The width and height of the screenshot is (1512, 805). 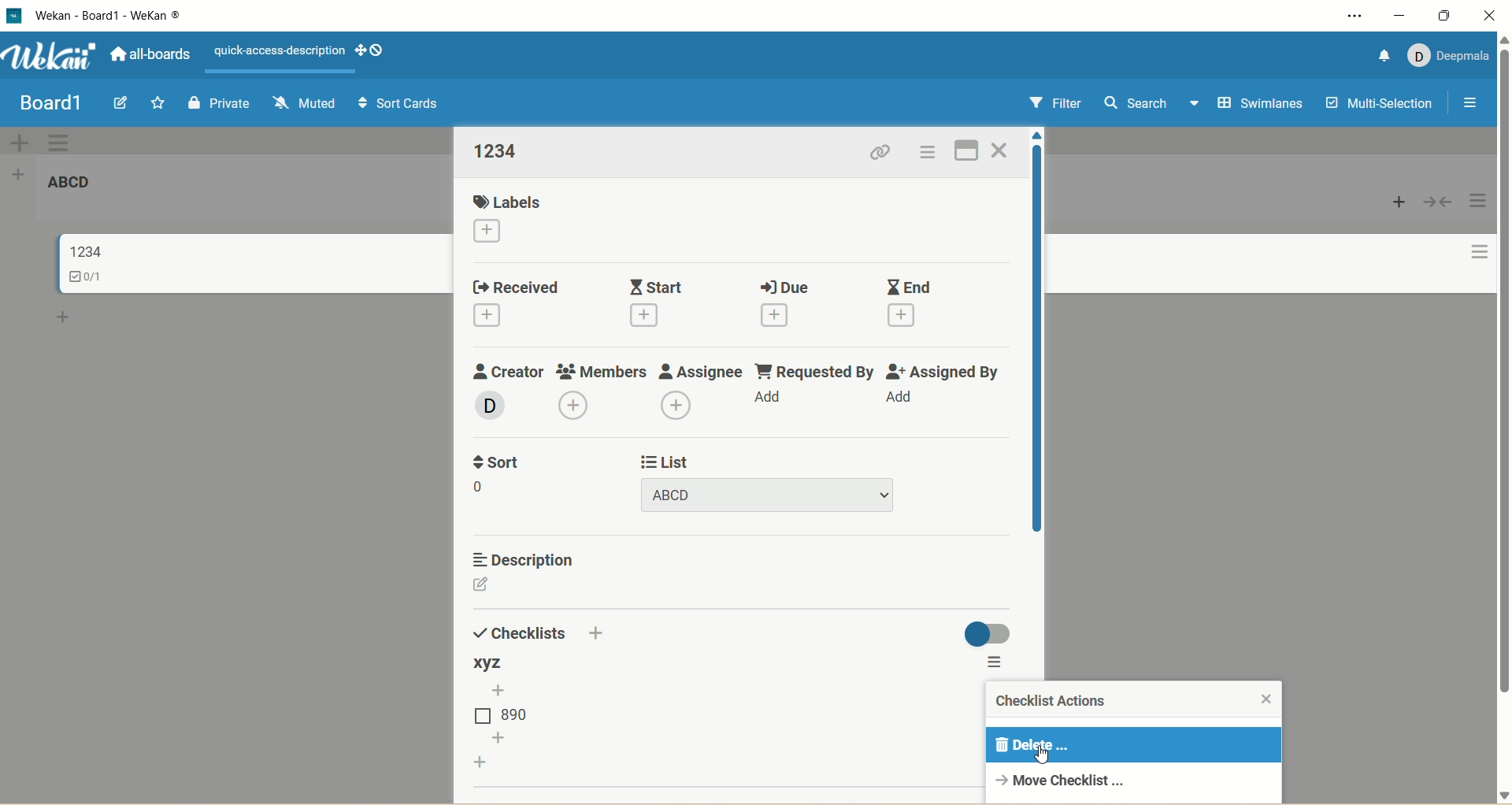 I want to click on muted, so click(x=303, y=104).